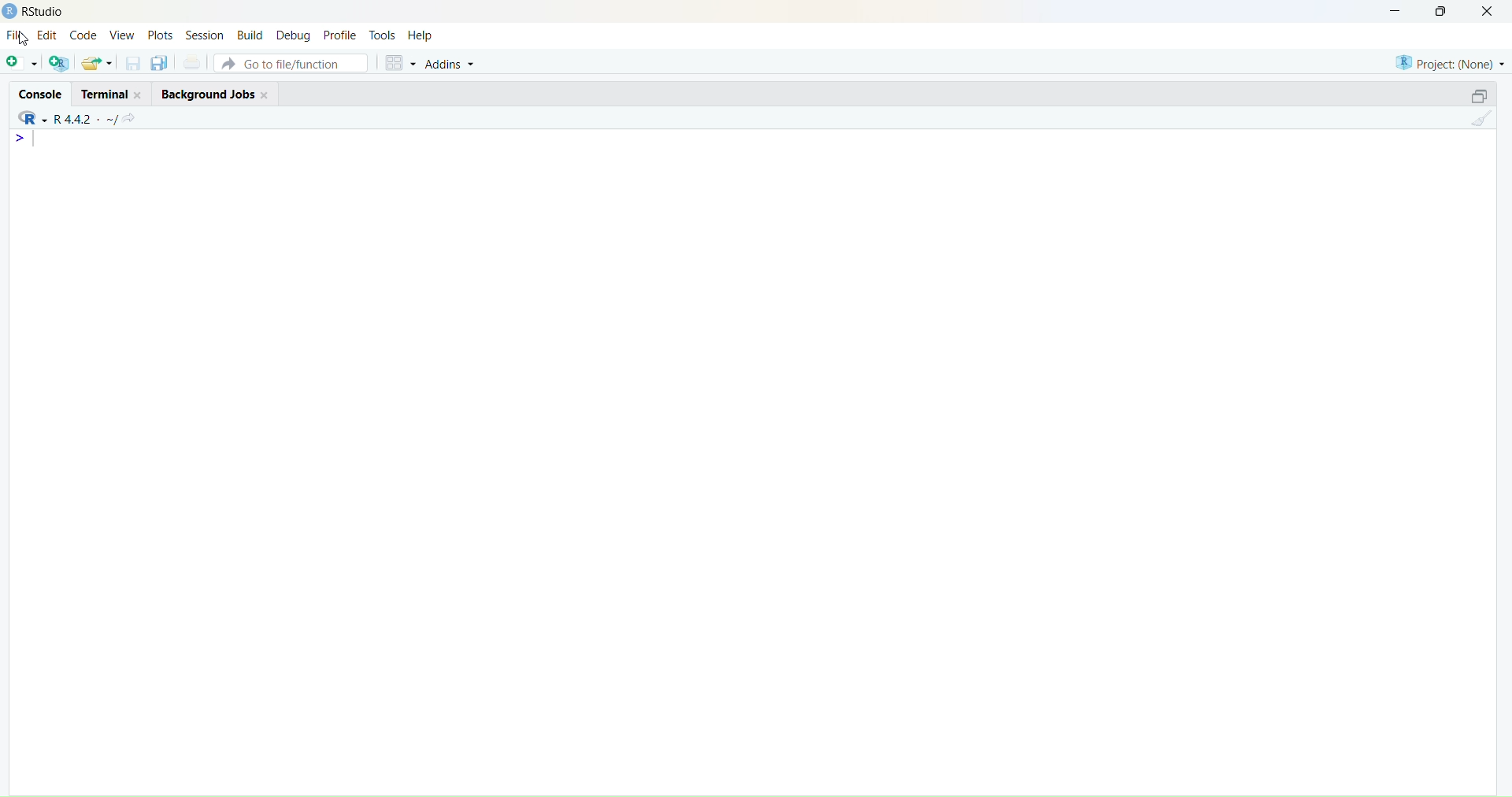 The image size is (1512, 797). What do you see at coordinates (1488, 13) in the screenshot?
I see `Close` at bounding box center [1488, 13].